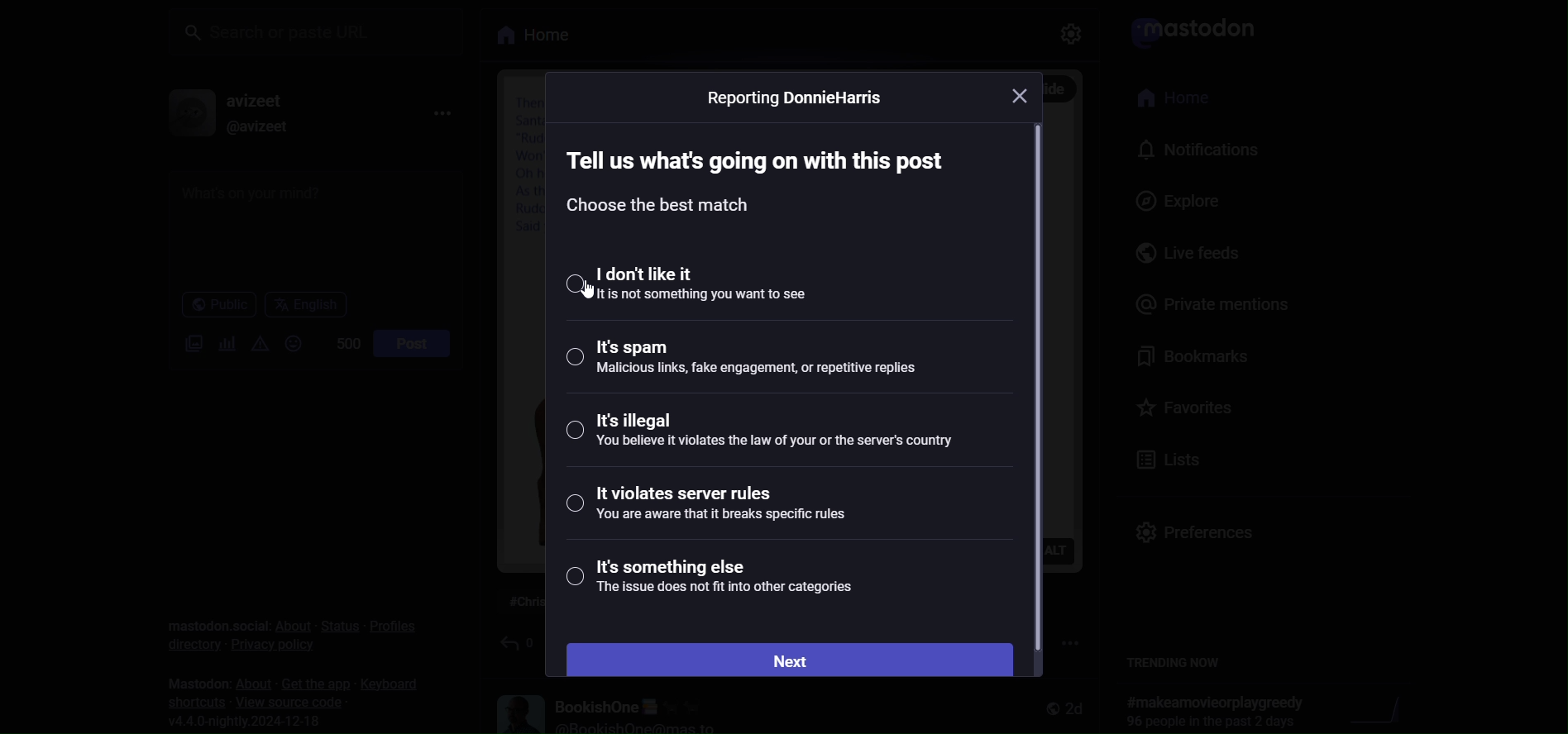 Image resolution: width=1568 pixels, height=734 pixels. What do you see at coordinates (189, 679) in the screenshot?
I see `mastodon` at bounding box center [189, 679].